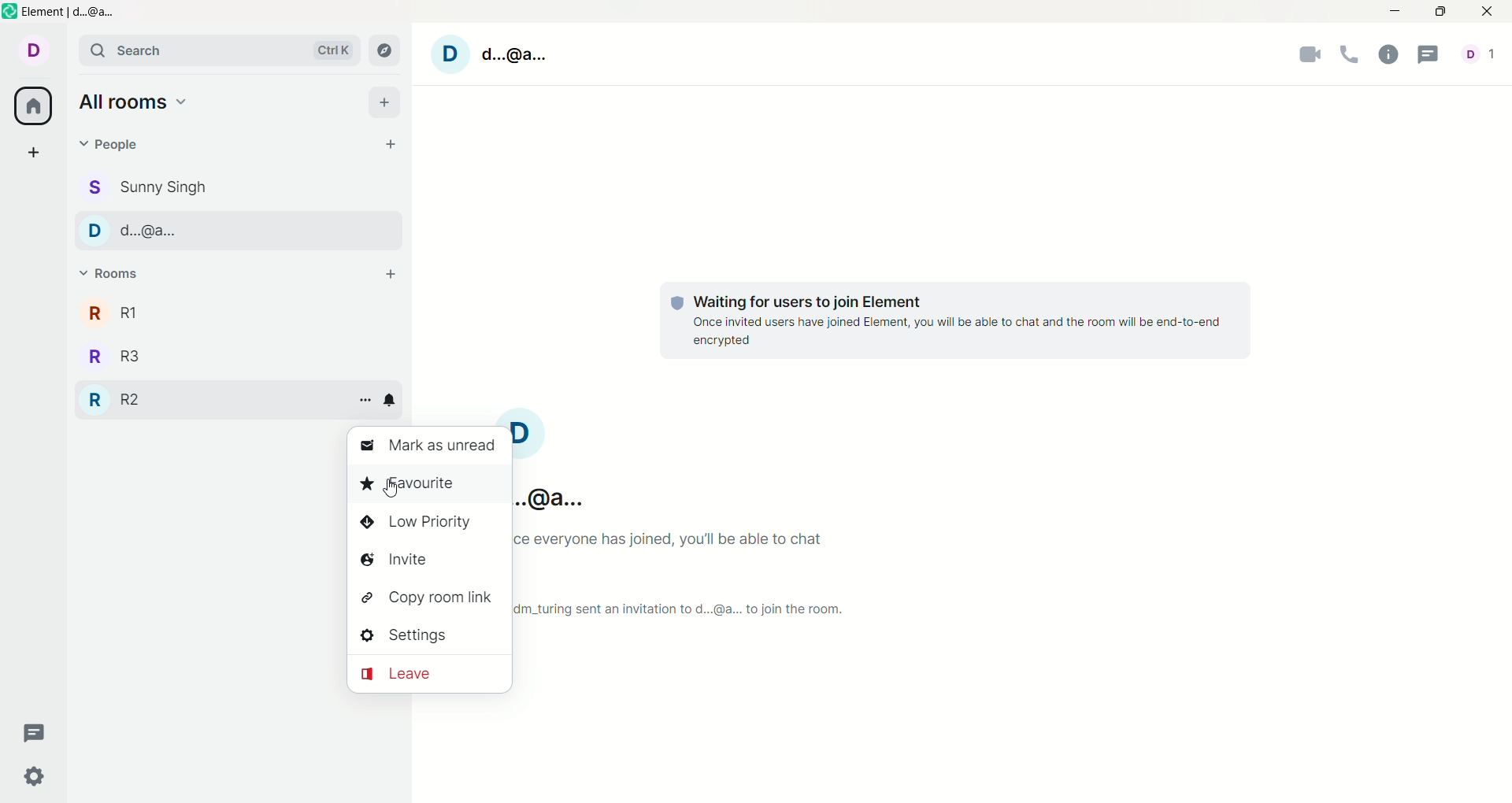 The height and width of the screenshot is (803, 1512). Describe the element at coordinates (366, 402) in the screenshot. I see `options` at that location.